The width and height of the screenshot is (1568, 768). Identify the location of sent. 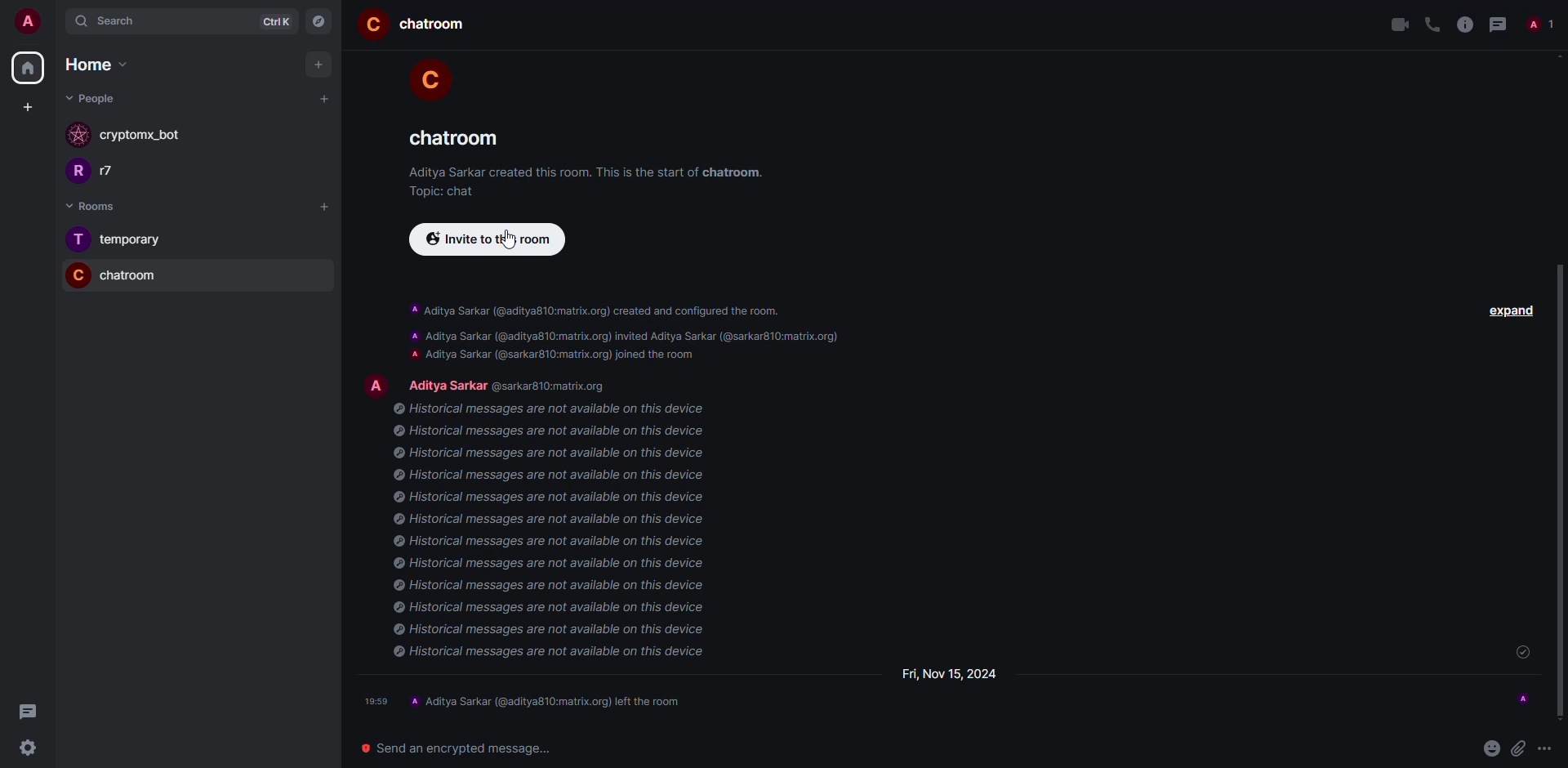
(1521, 653).